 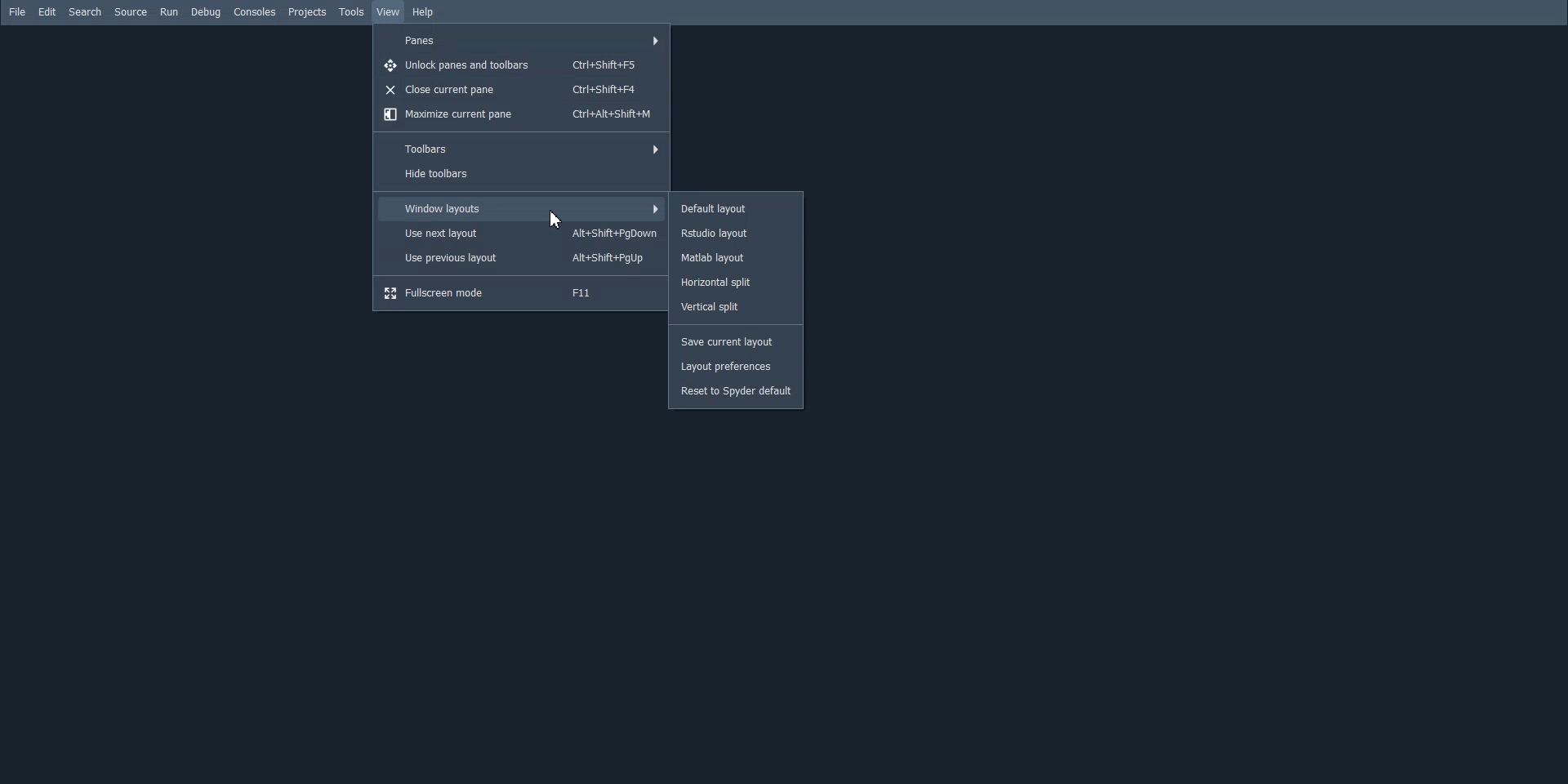 I want to click on Run, so click(x=169, y=11).